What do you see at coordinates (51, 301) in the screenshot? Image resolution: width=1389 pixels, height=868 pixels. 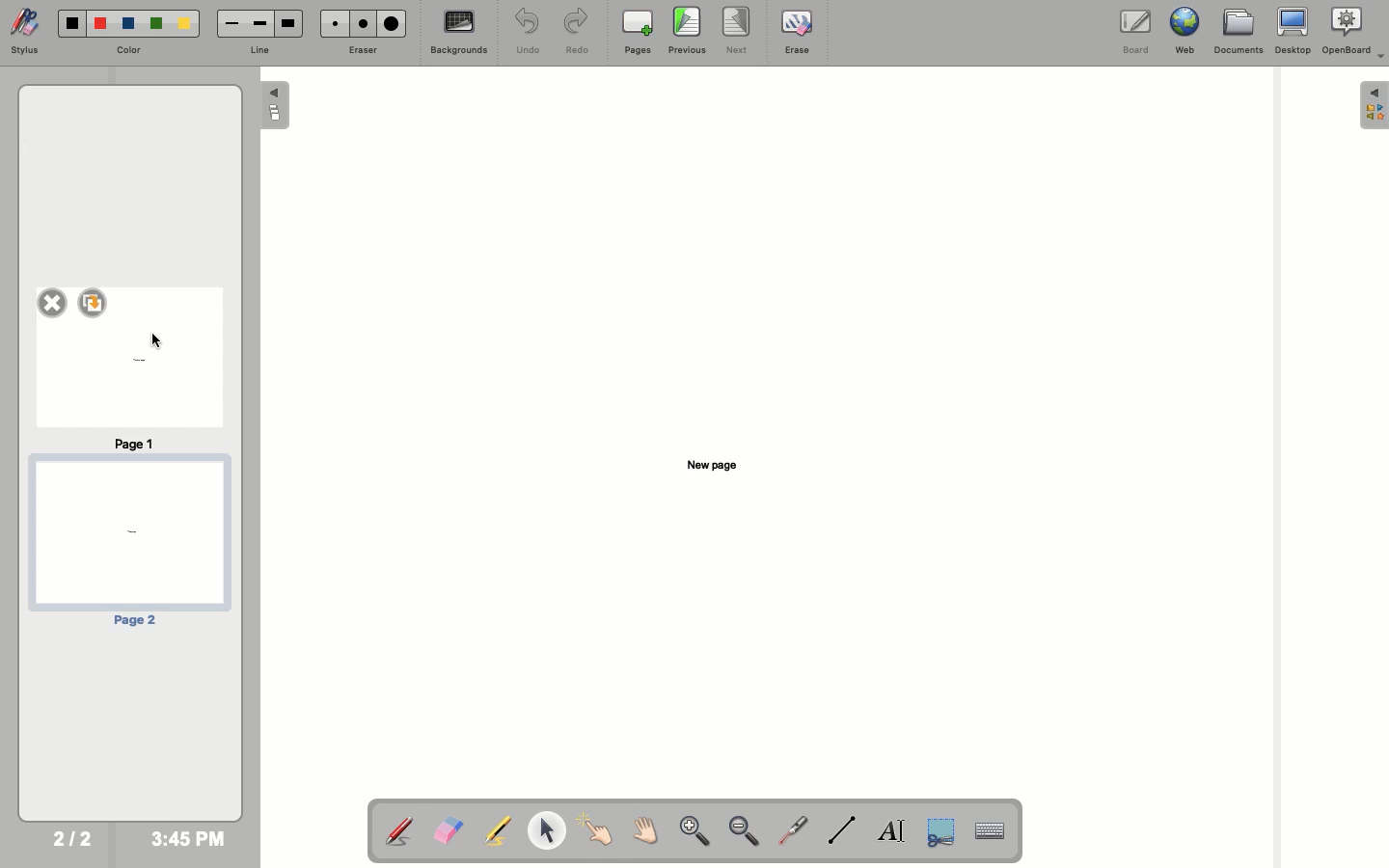 I see `Delete page` at bounding box center [51, 301].